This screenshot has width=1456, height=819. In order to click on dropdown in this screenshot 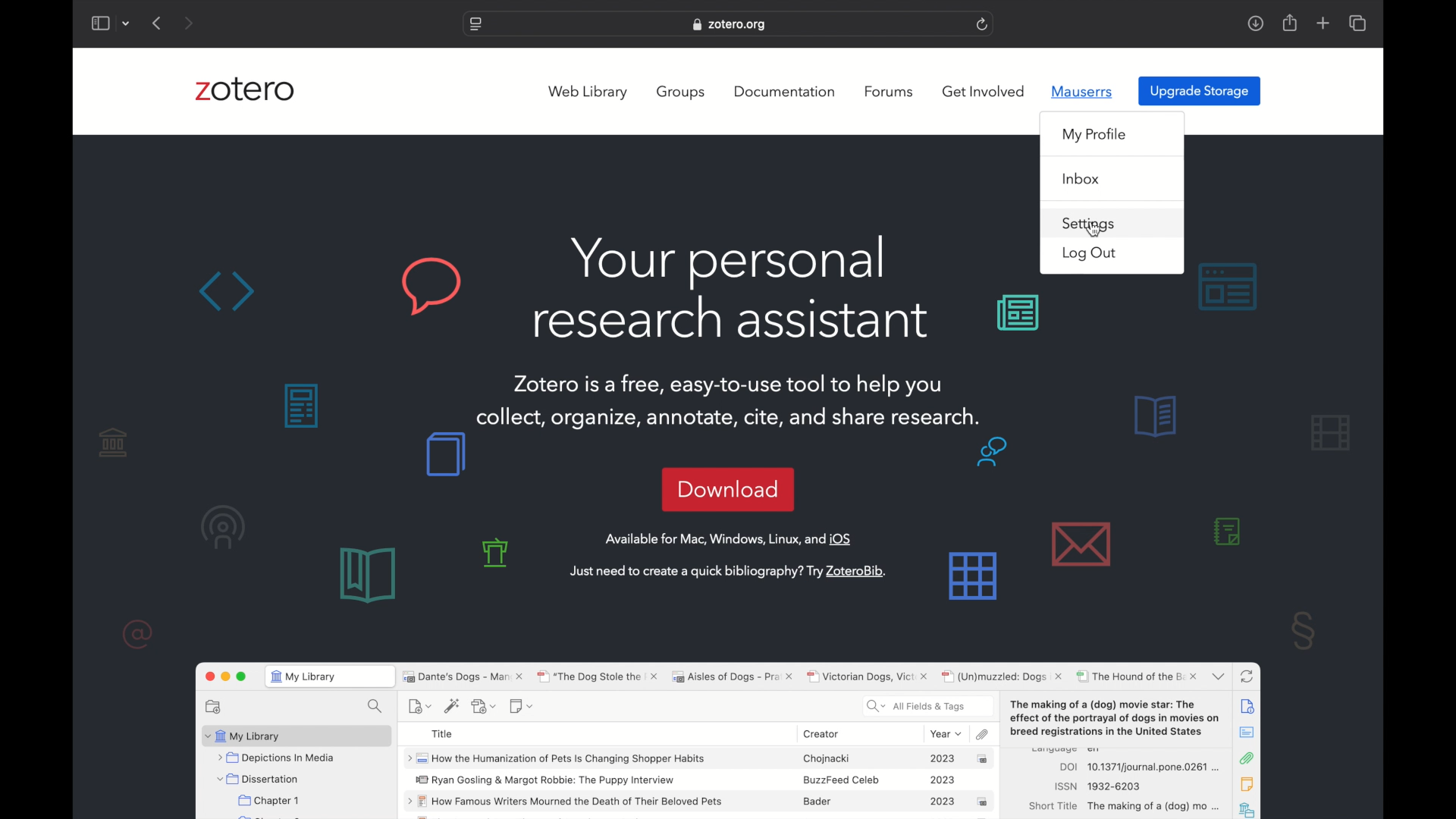, I will do `click(127, 24)`.